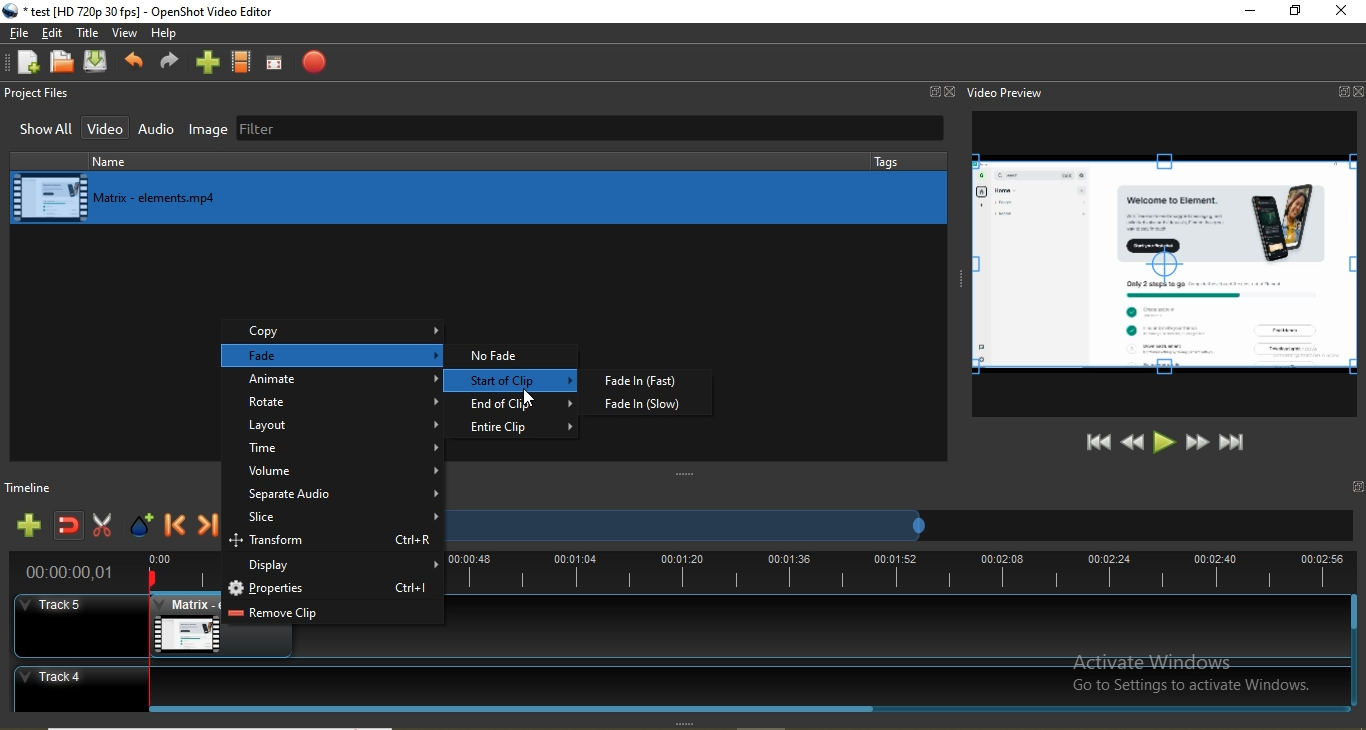  I want to click on slice, so click(335, 519).